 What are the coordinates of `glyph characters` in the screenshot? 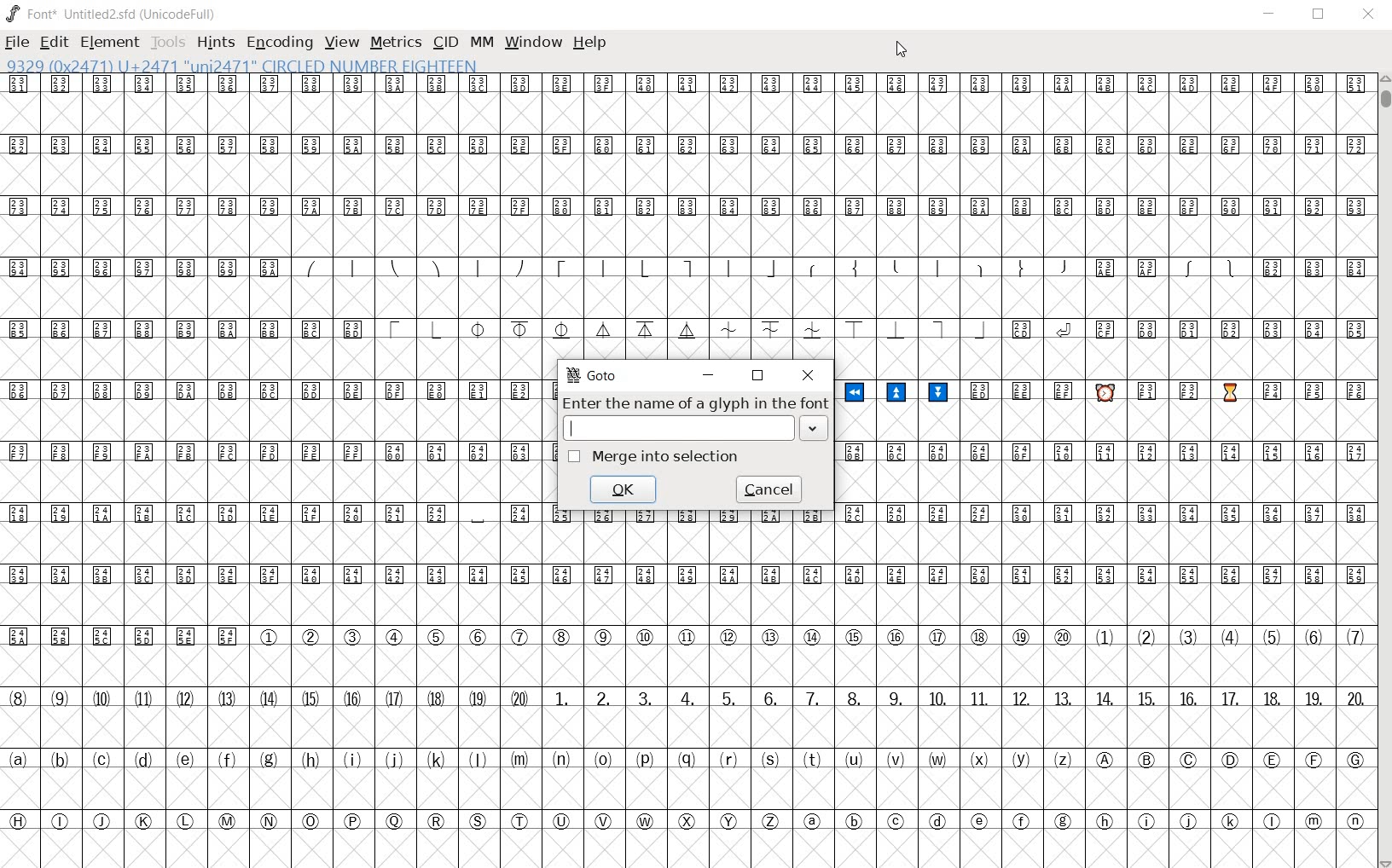 It's located at (960, 195).